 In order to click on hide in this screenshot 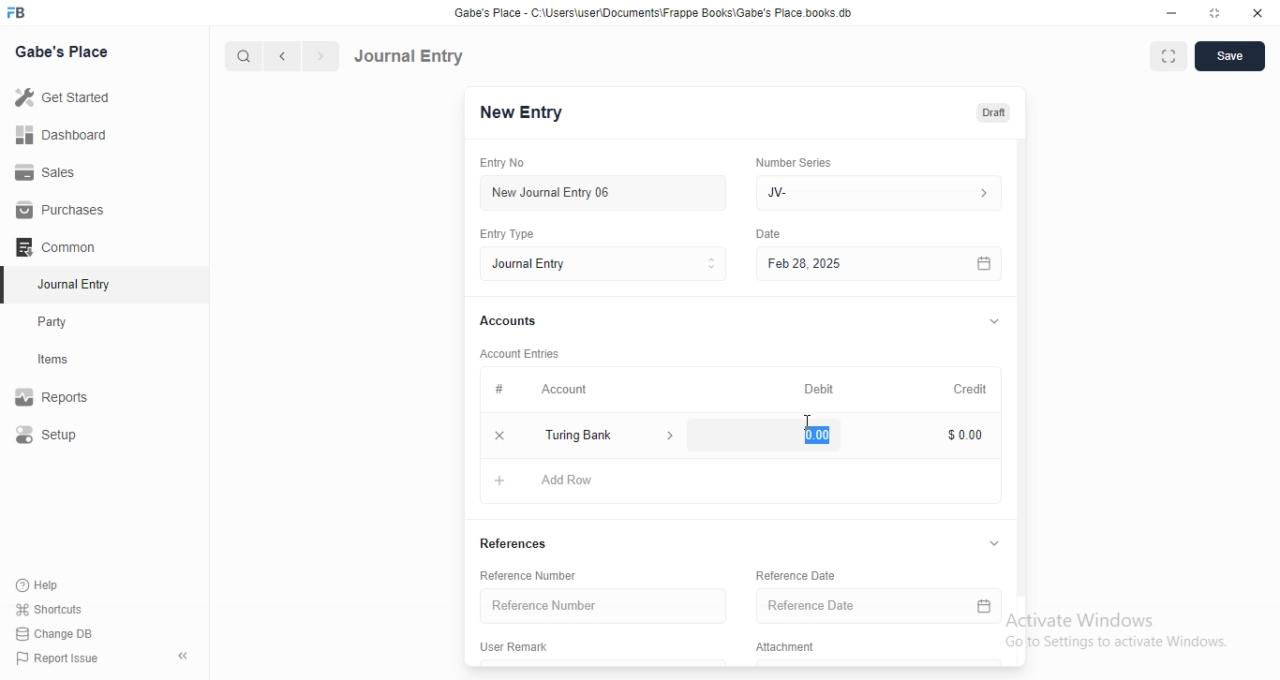, I will do `click(179, 657)`.